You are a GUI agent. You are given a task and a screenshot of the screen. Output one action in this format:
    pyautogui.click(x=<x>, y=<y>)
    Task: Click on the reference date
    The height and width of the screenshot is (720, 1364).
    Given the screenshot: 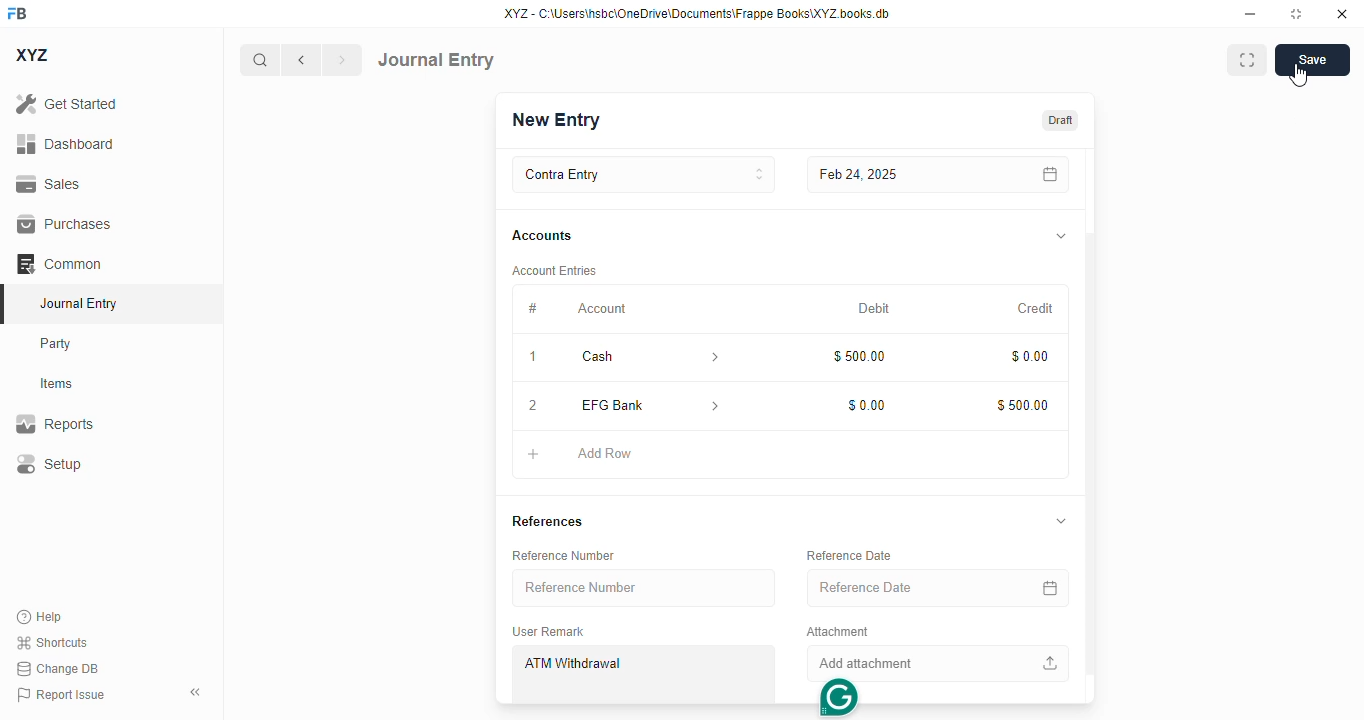 What is the action you would take?
    pyautogui.click(x=850, y=555)
    